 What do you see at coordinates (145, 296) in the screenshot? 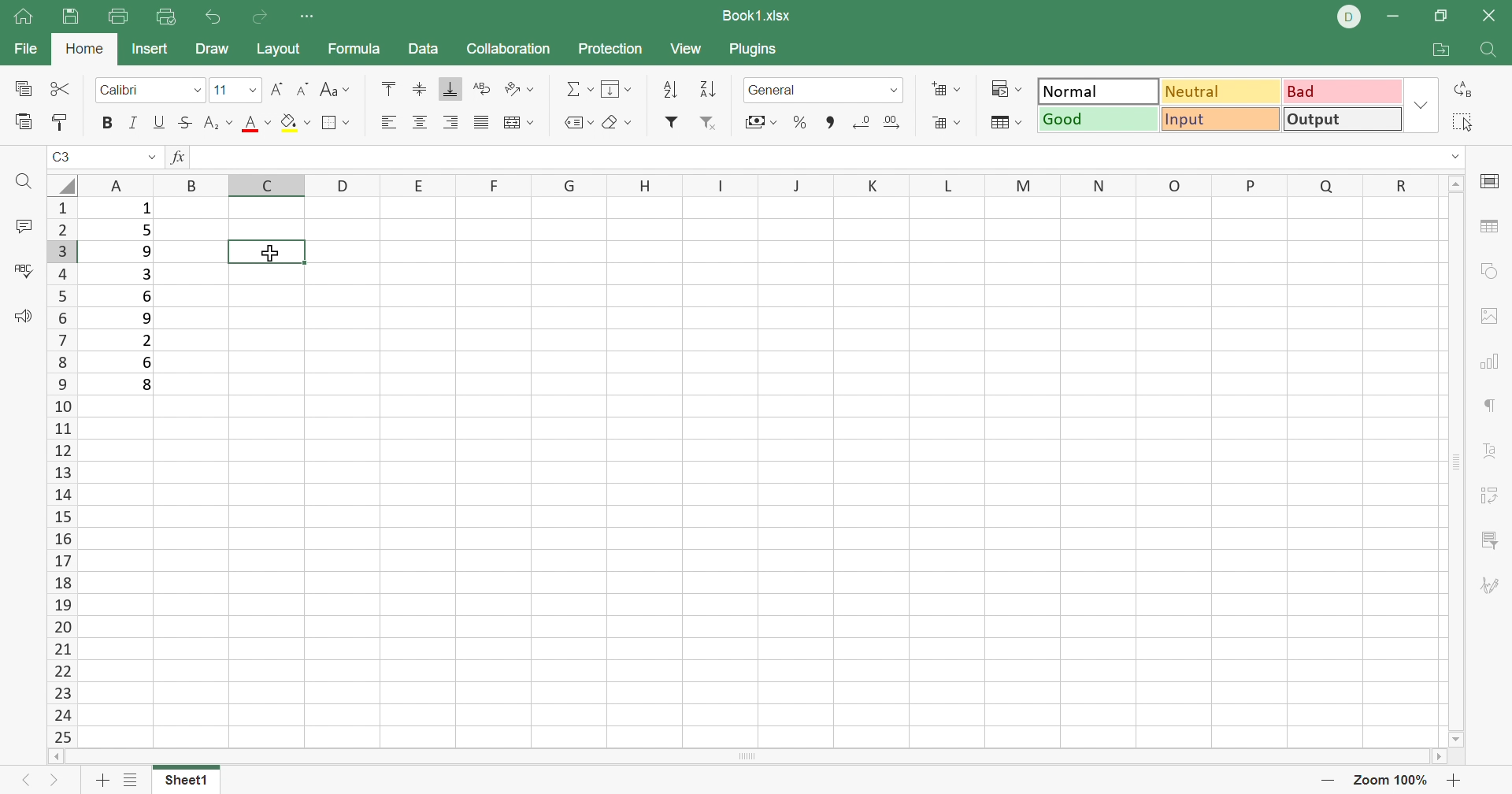
I see `6` at bounding box center [145, 296].